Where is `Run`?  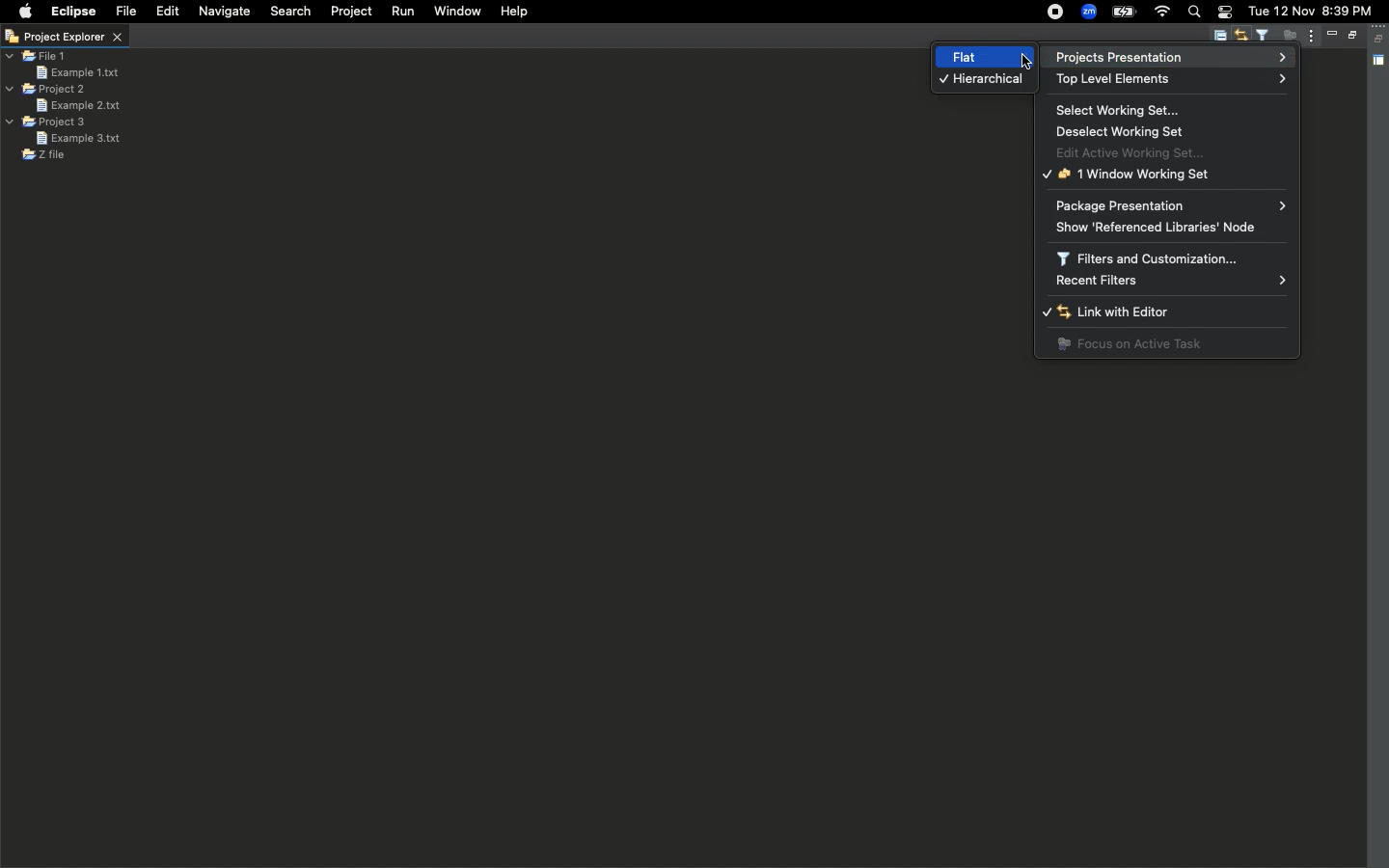
Run is located at coordinates (402, 12).